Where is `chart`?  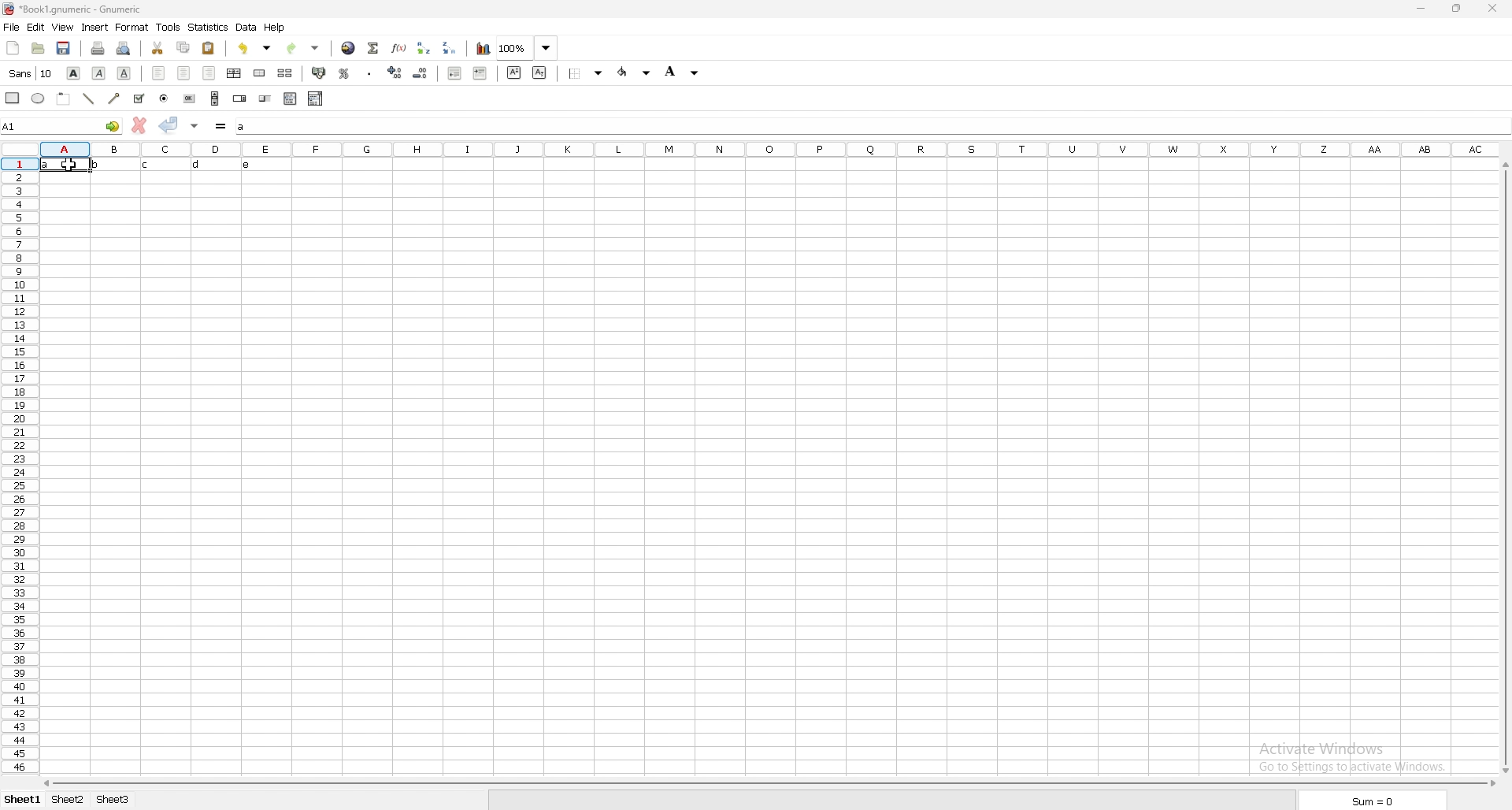 chart is located at coordinates (484, 48).